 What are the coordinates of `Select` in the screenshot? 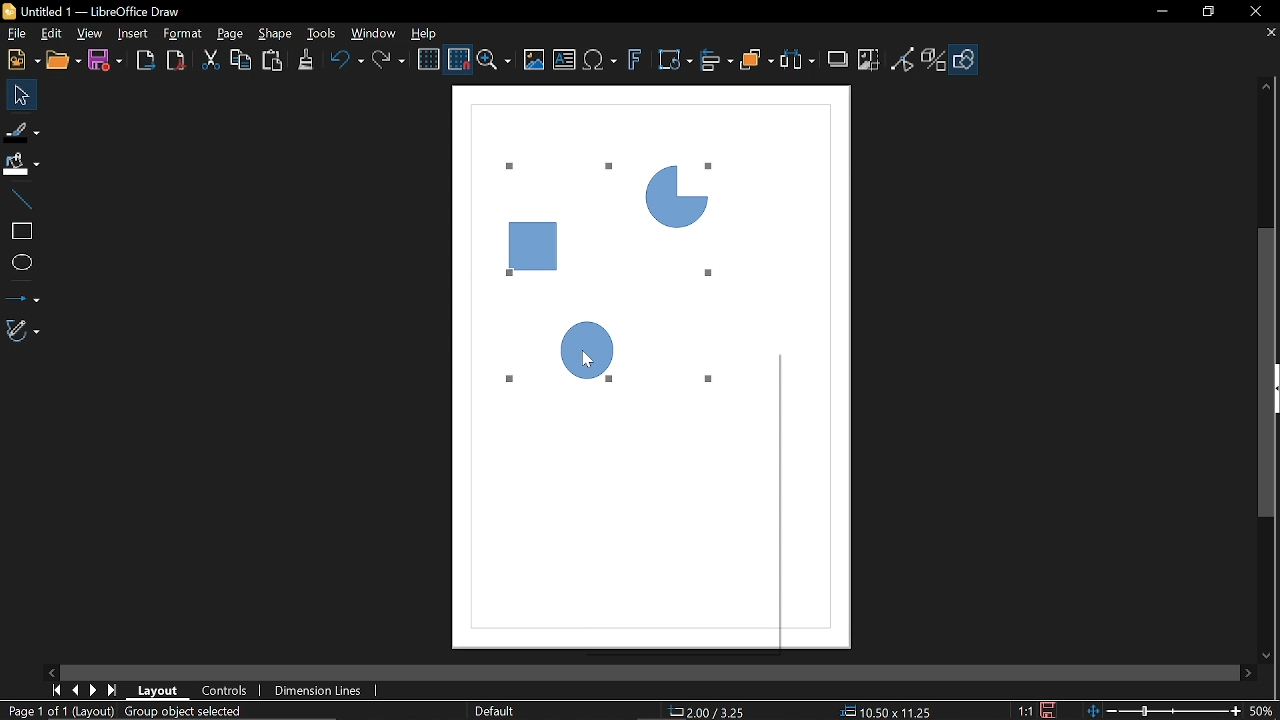 It's located at (21, 95).